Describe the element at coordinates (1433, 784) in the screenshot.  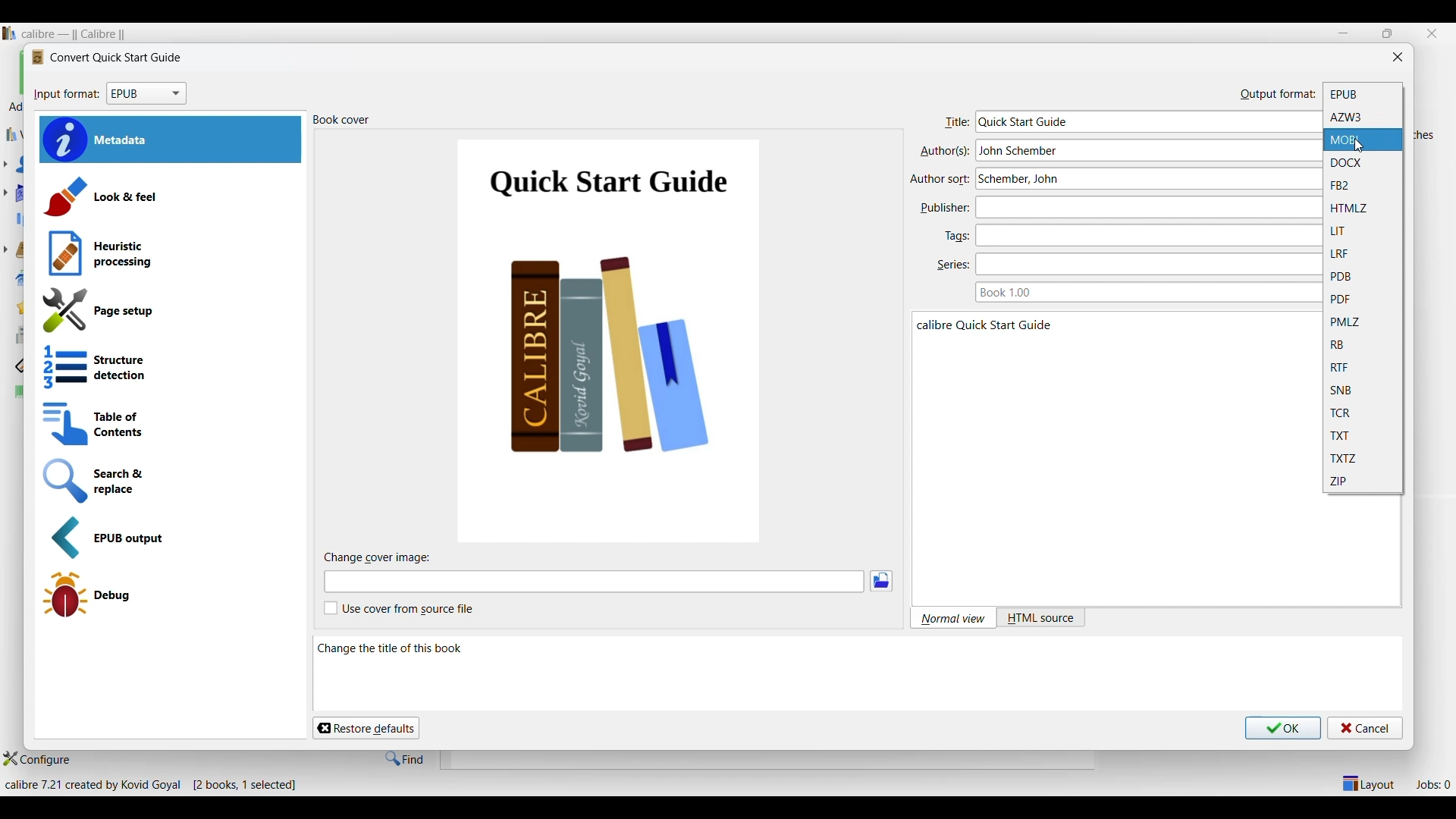
I see `Jobs` at that location.